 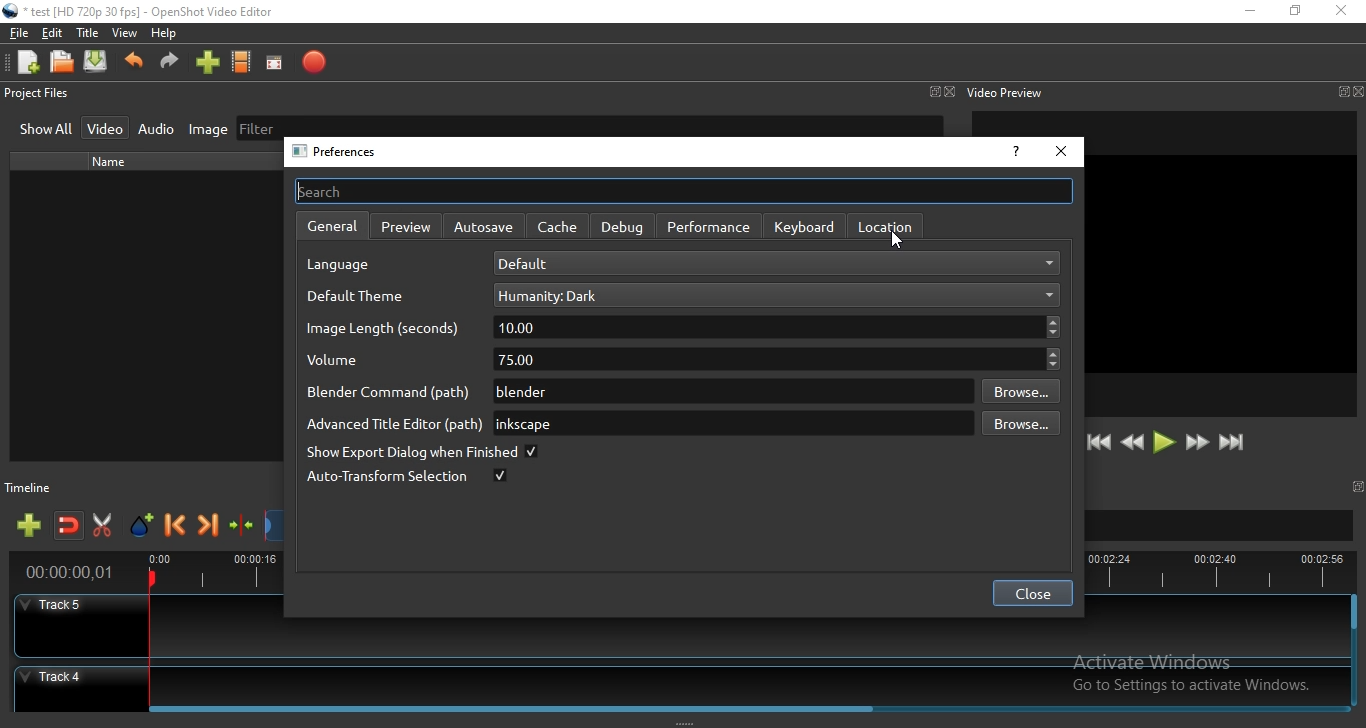 I want to click on Video preview, so click(x=1005, y=92).